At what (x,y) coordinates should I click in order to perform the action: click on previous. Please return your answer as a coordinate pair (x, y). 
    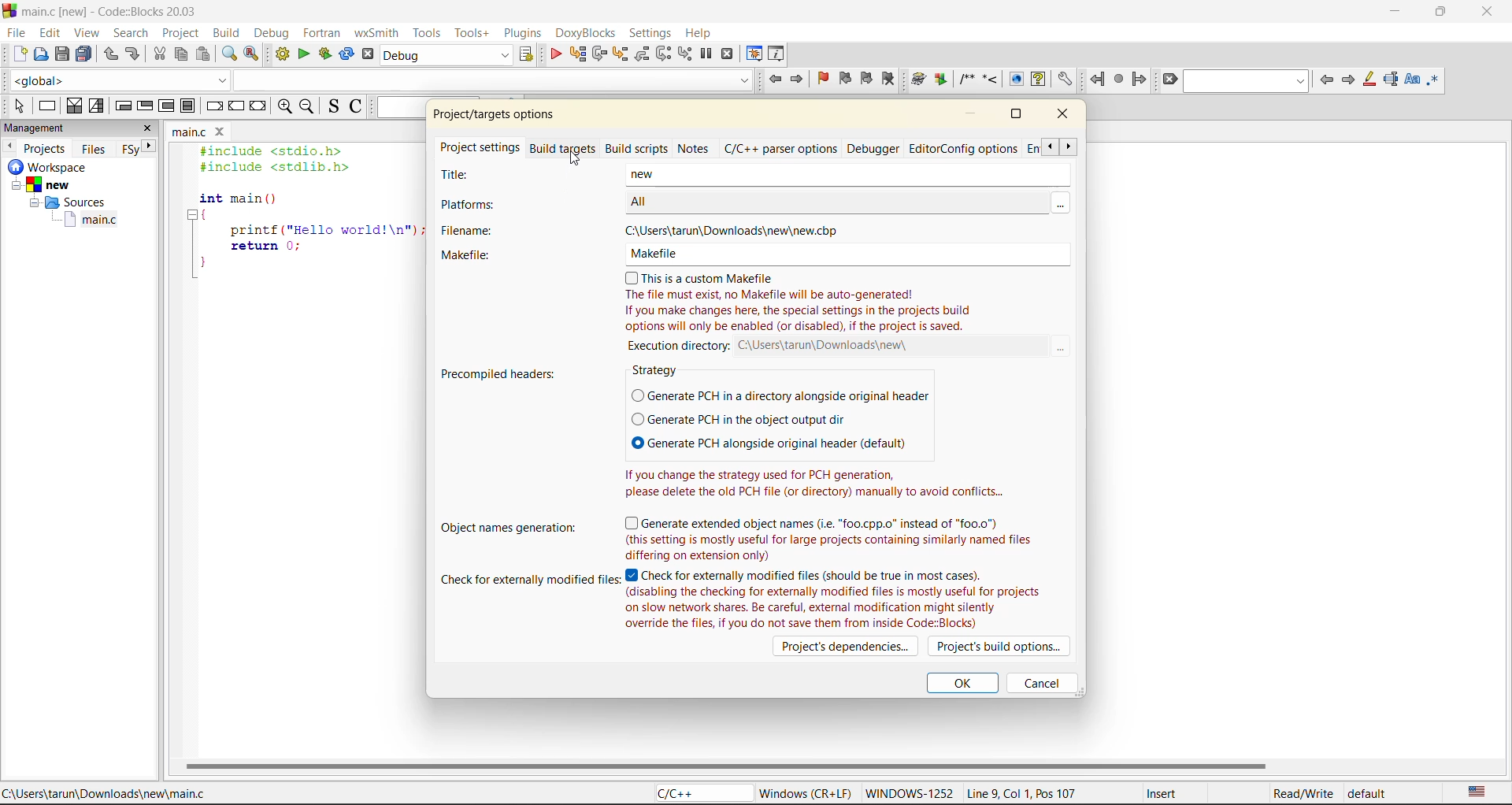
    Looking at the image, I should click on (9, 146).